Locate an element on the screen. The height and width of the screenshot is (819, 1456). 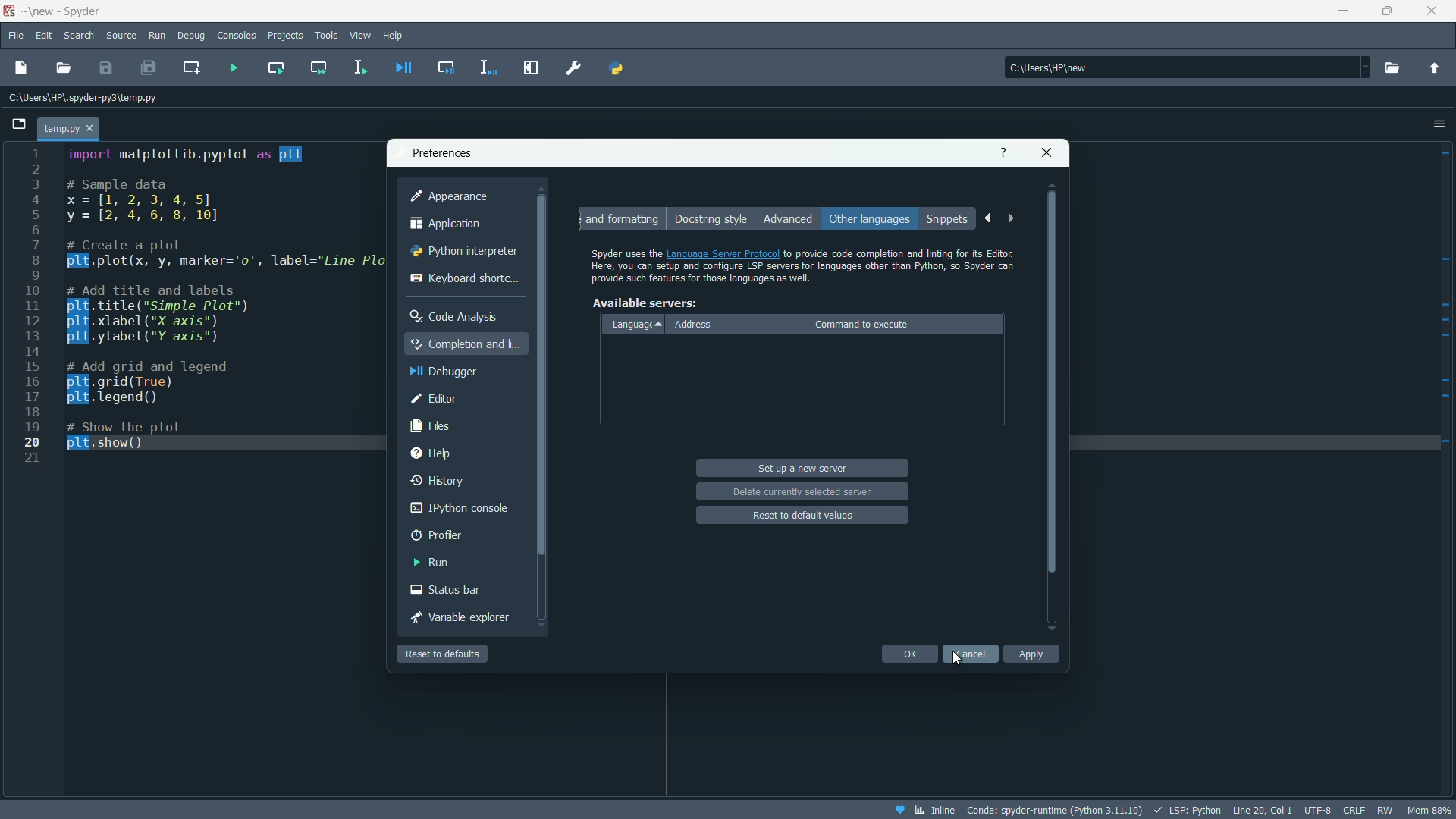
save file is located at coordinates (106, 67).